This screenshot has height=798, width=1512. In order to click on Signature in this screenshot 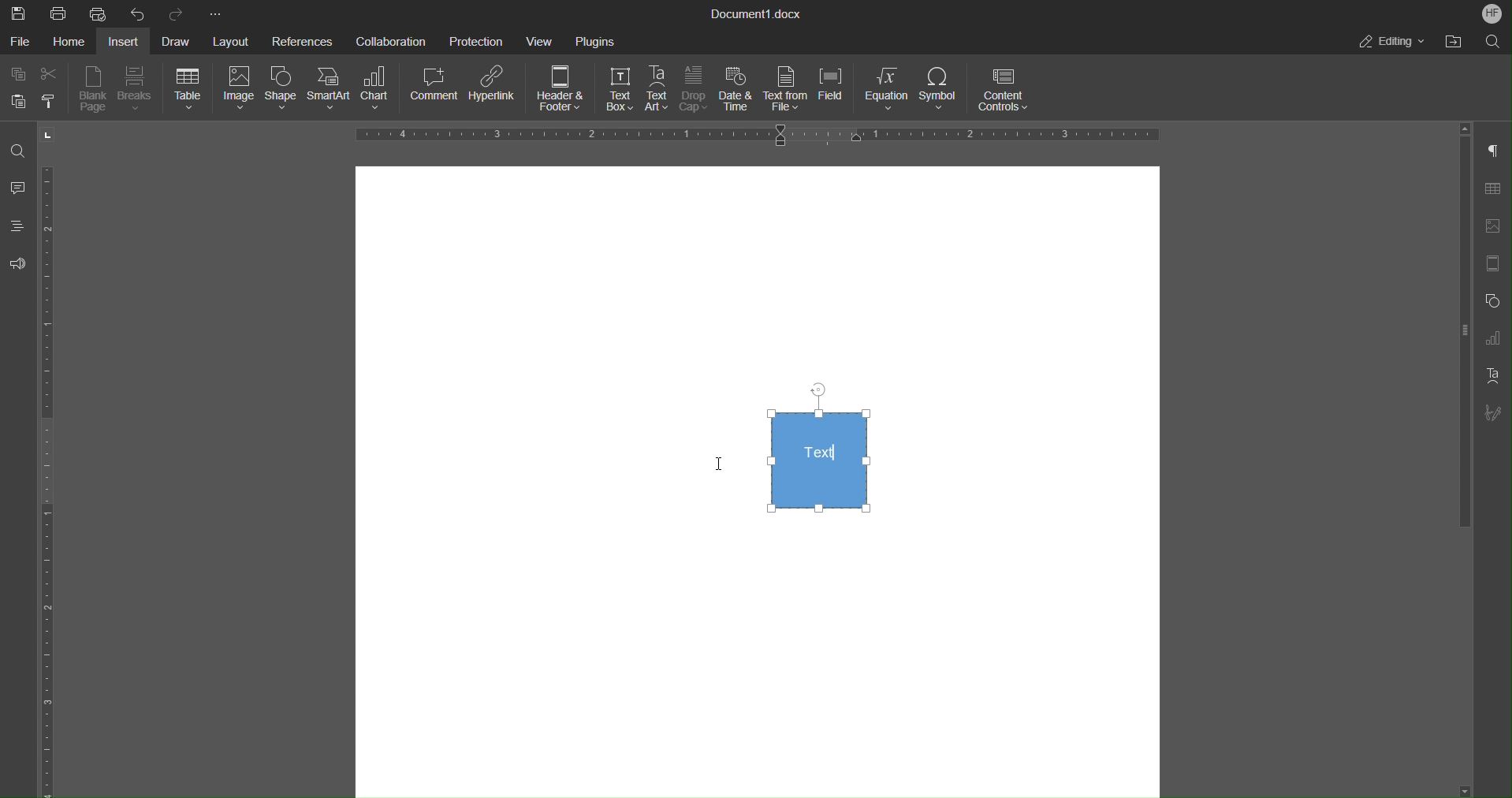, I will do `click(1499, 413)`.